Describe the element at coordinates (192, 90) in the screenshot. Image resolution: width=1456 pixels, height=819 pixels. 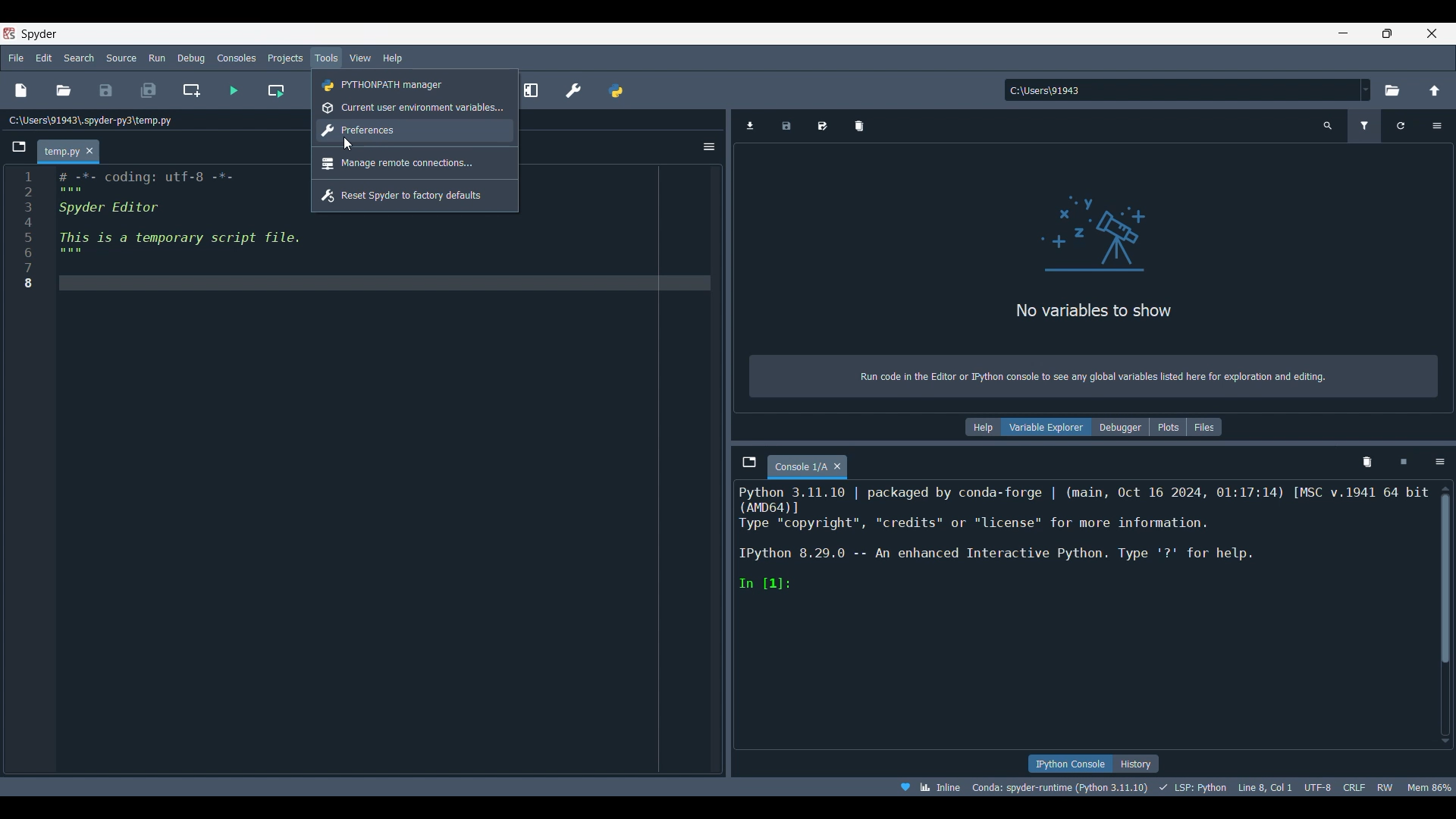
I see `Create new cell at the current line` at that location.